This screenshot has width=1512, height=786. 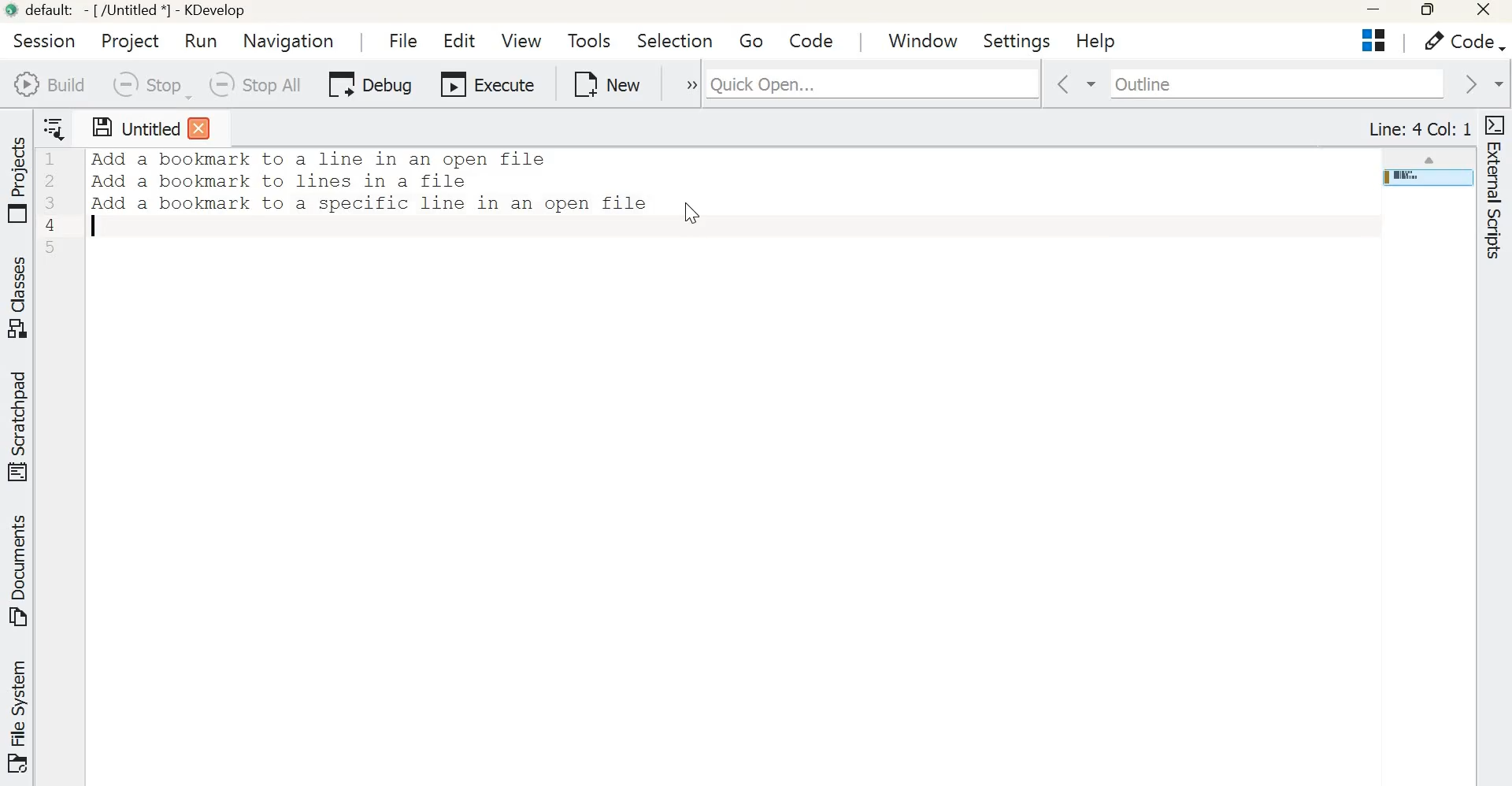 I want to click on File, so click(x=398, y=36).